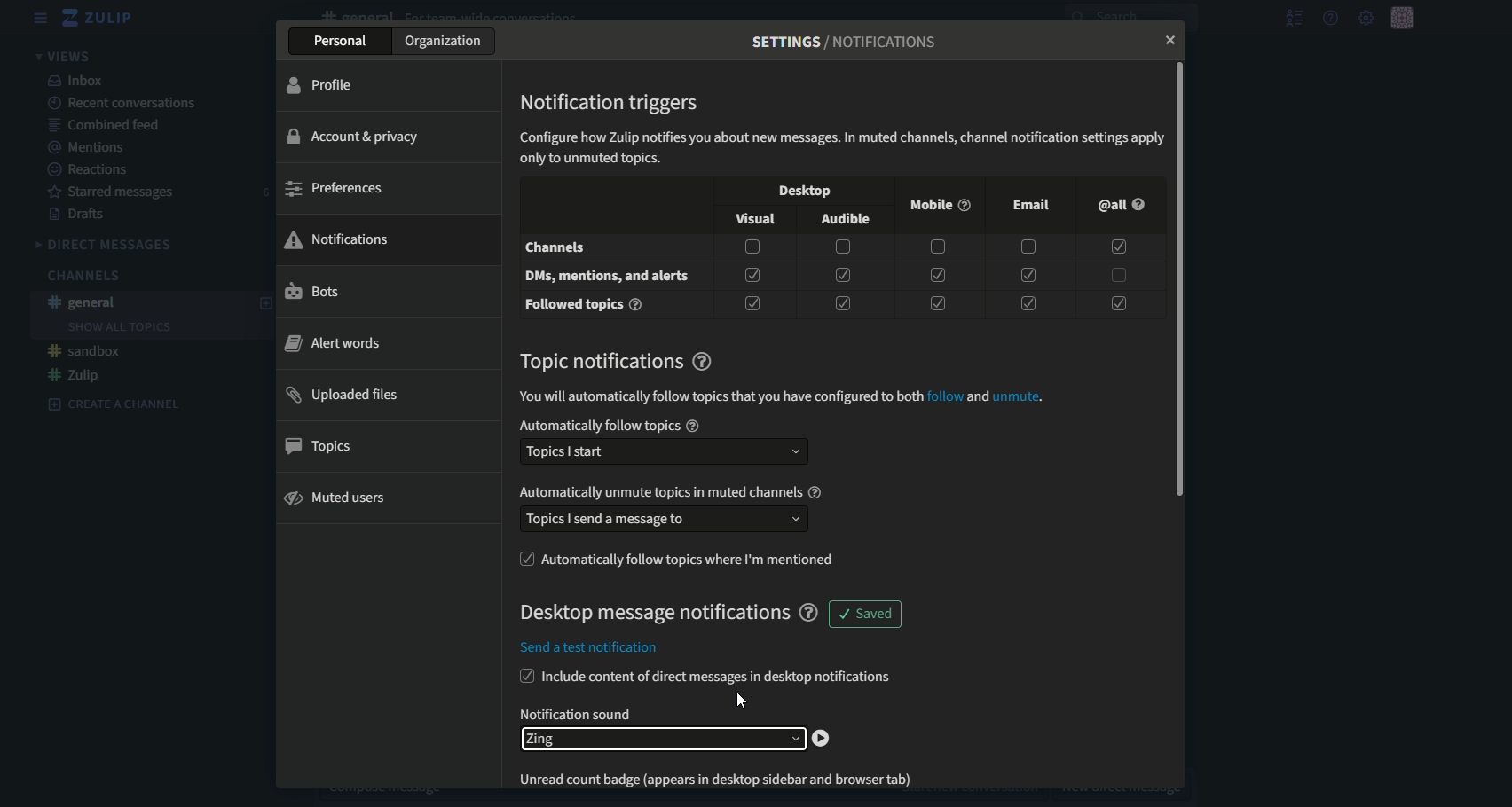  Describe the element at coordinates (752, 304) in the screenshot. I see `checkbox` at that location.